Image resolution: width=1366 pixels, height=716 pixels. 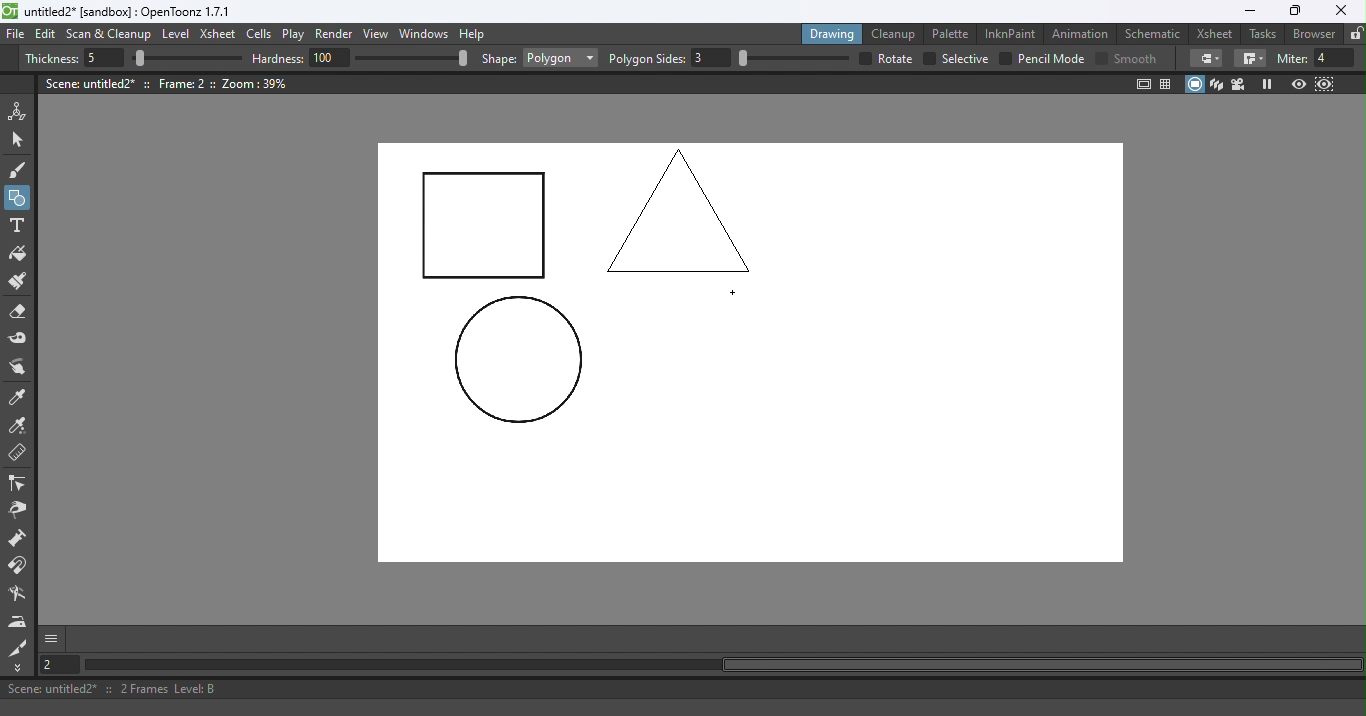 I want to click on More options, so click(x=51, y=638).